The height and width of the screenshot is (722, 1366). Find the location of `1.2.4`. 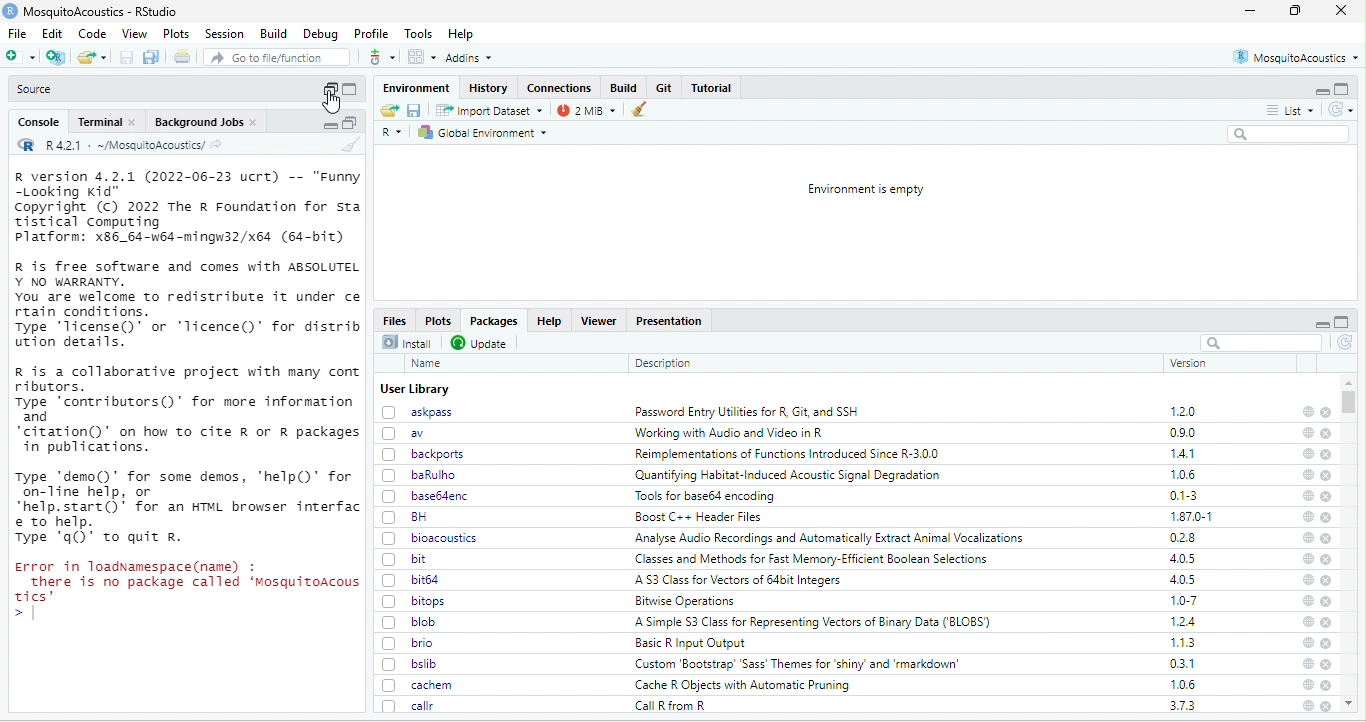

1.2.4 is located at coordinates (1182, 621).